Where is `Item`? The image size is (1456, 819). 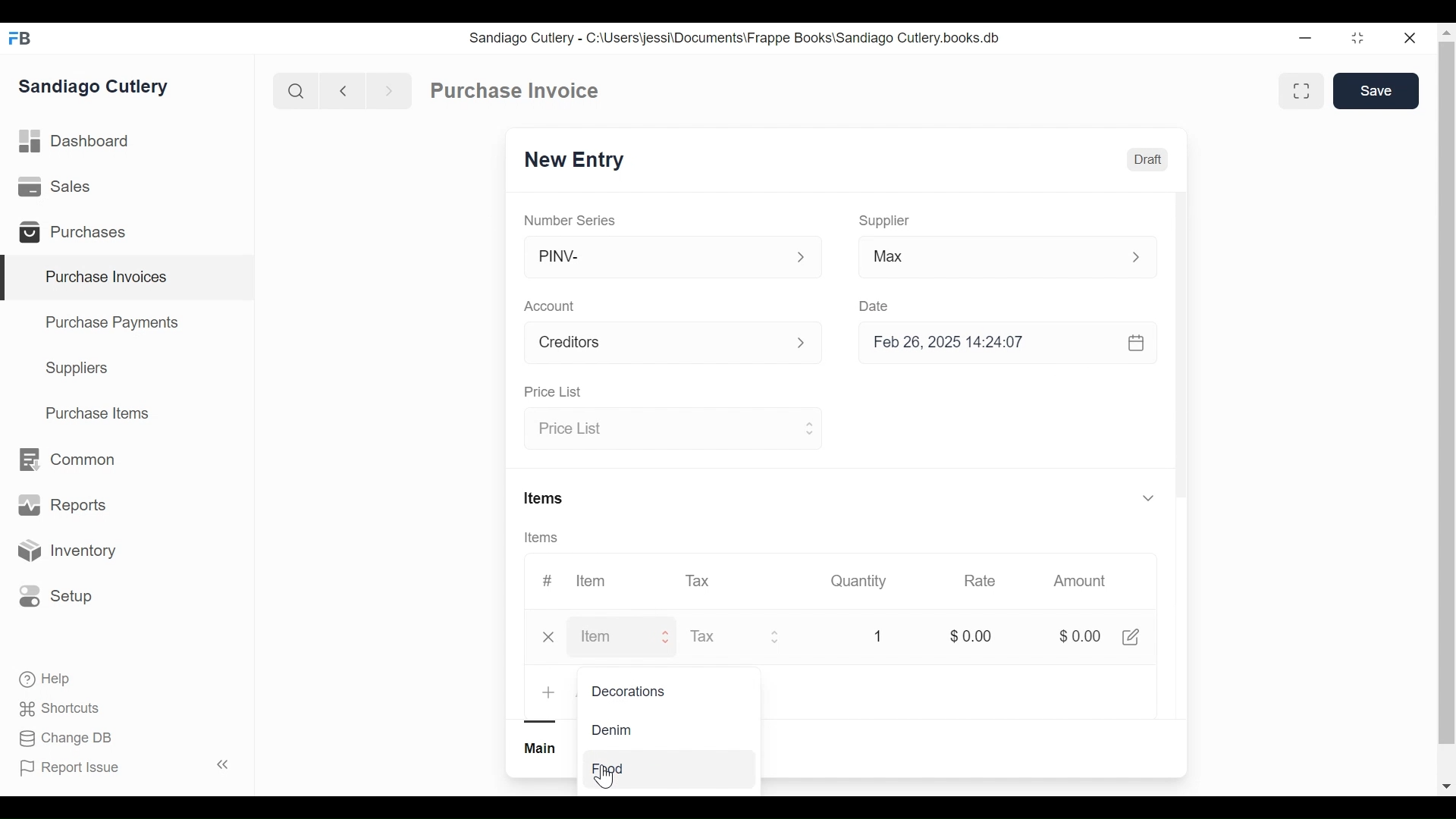 Item is located at coordinates (612, 638).